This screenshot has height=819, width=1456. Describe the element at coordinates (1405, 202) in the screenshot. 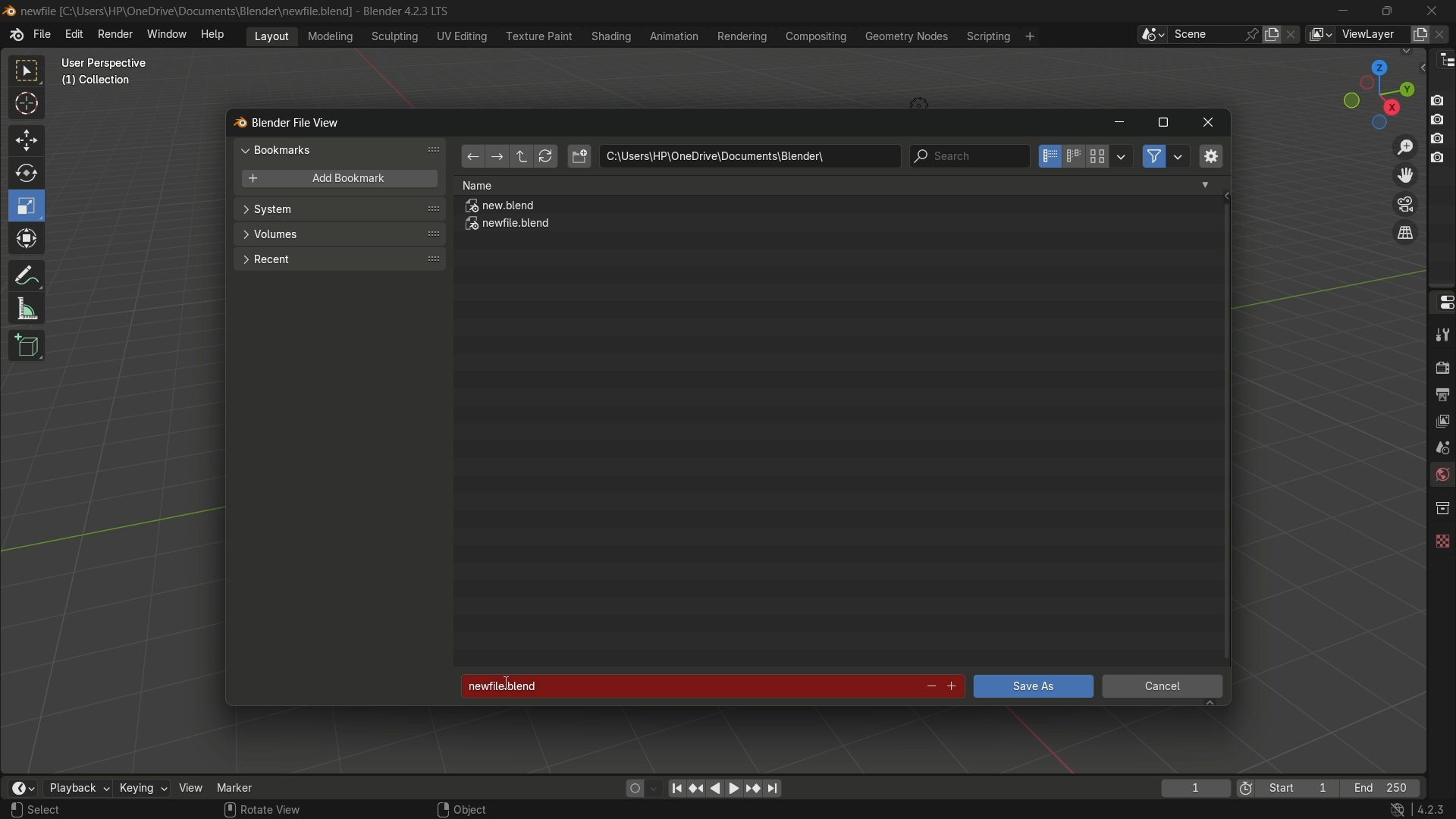

I see `toggle camera view layer` at that location.